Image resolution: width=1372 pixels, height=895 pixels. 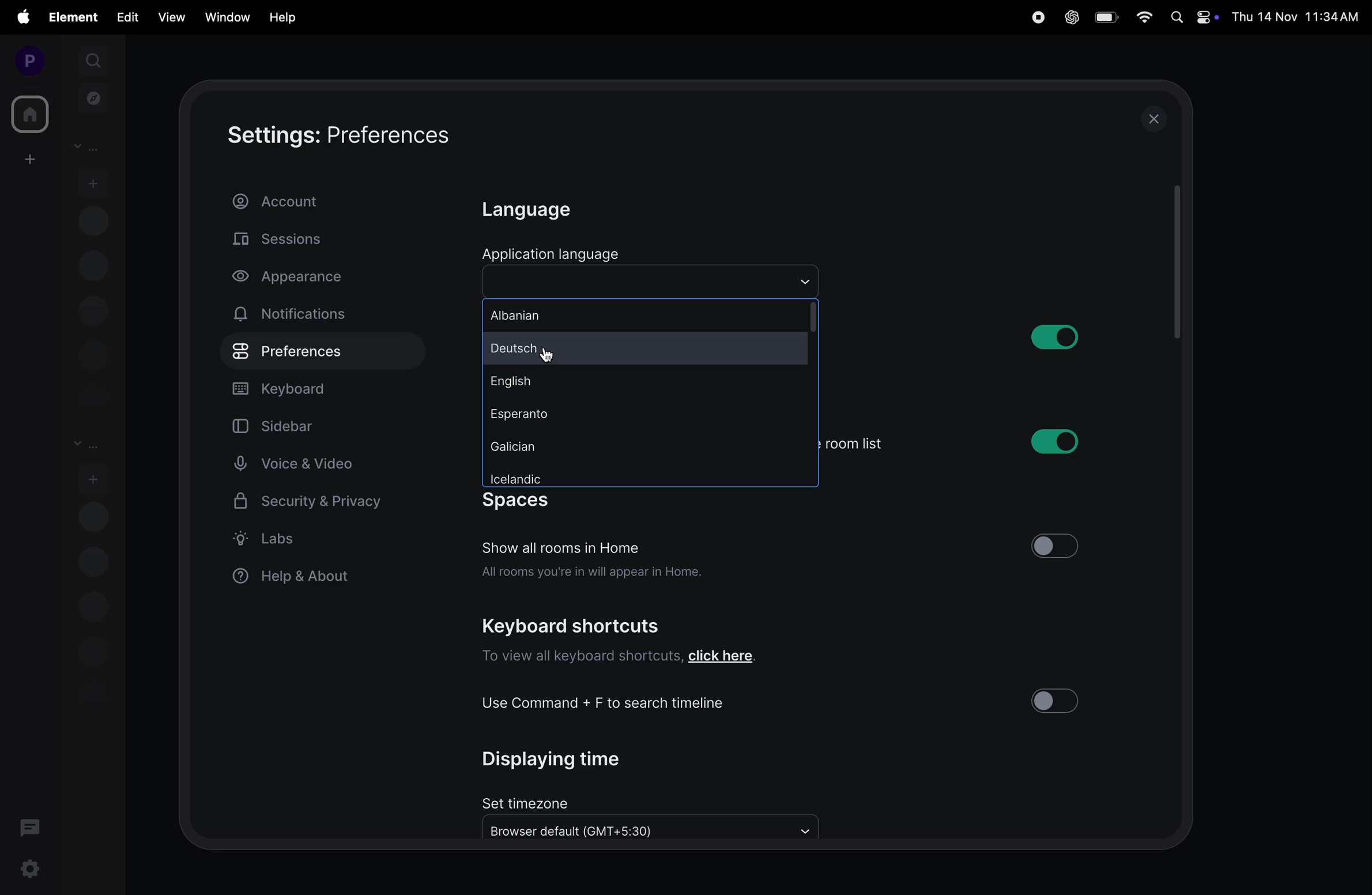 I want to click on Show all rooms in Home
All rooms you're in will appear in Home., so click(x=586, y=560).